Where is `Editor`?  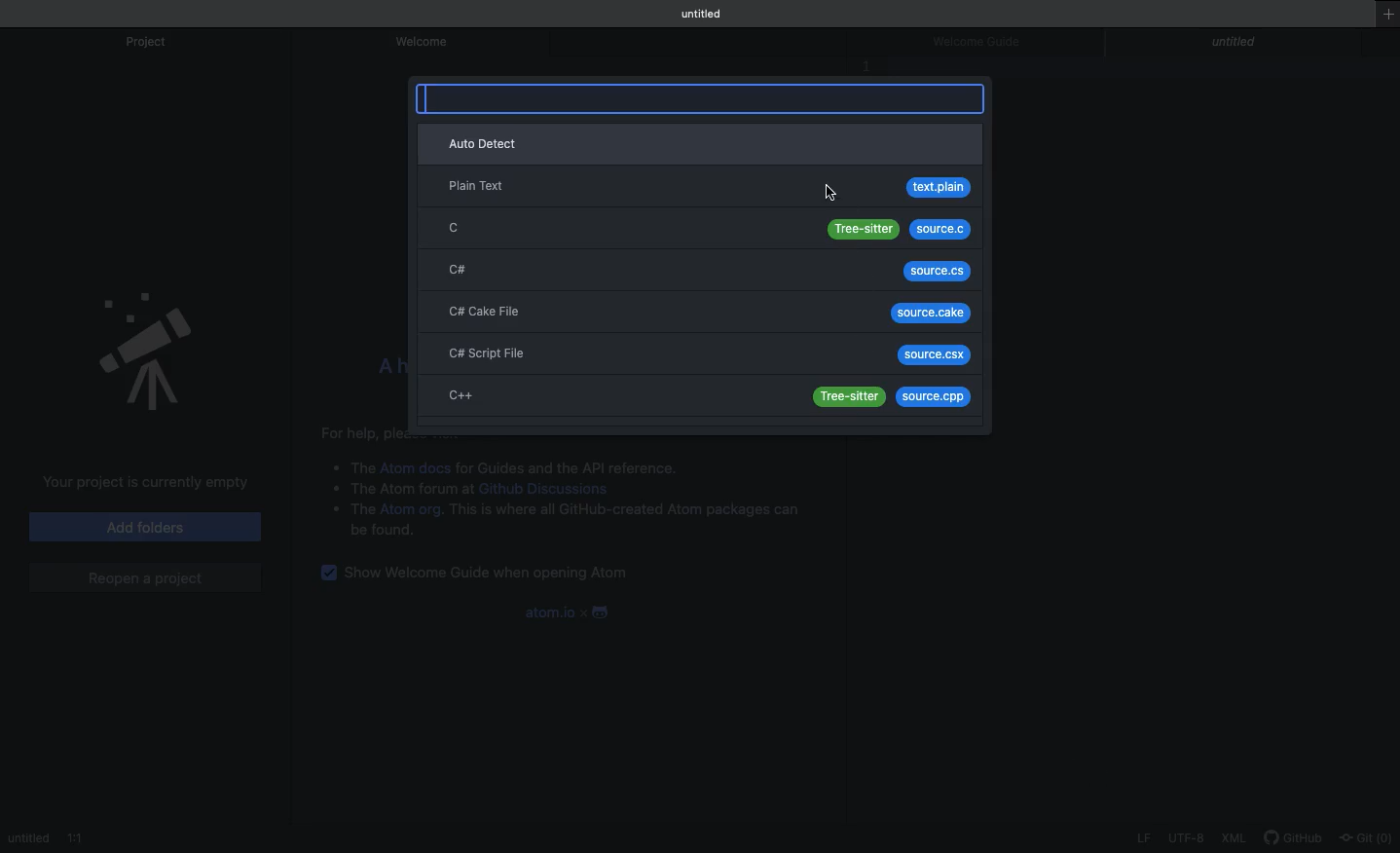
Editor is located at coordinates (51, 837).